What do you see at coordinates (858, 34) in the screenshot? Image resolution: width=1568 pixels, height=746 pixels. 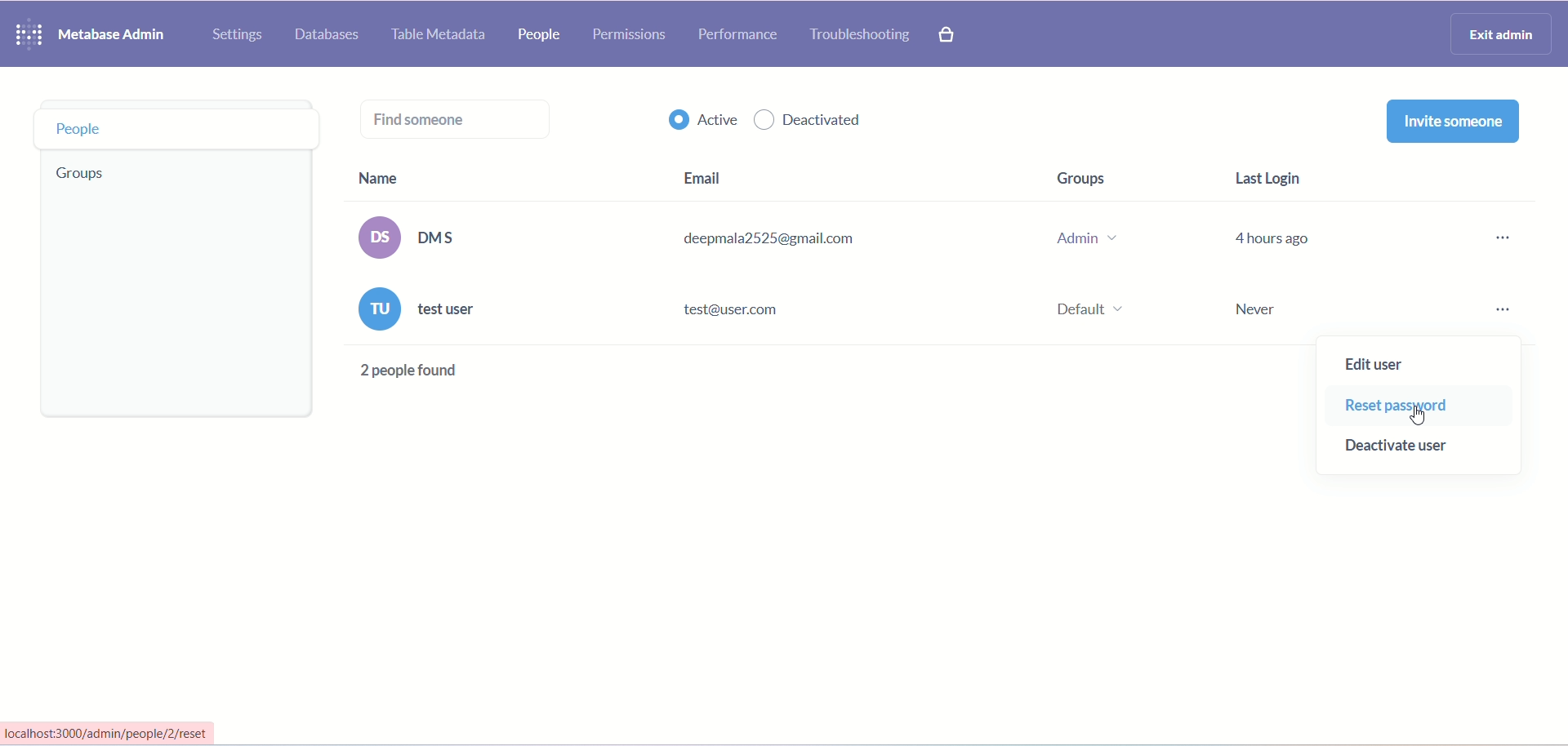 I see `troubleshooting` at bounding box center [858, 34].